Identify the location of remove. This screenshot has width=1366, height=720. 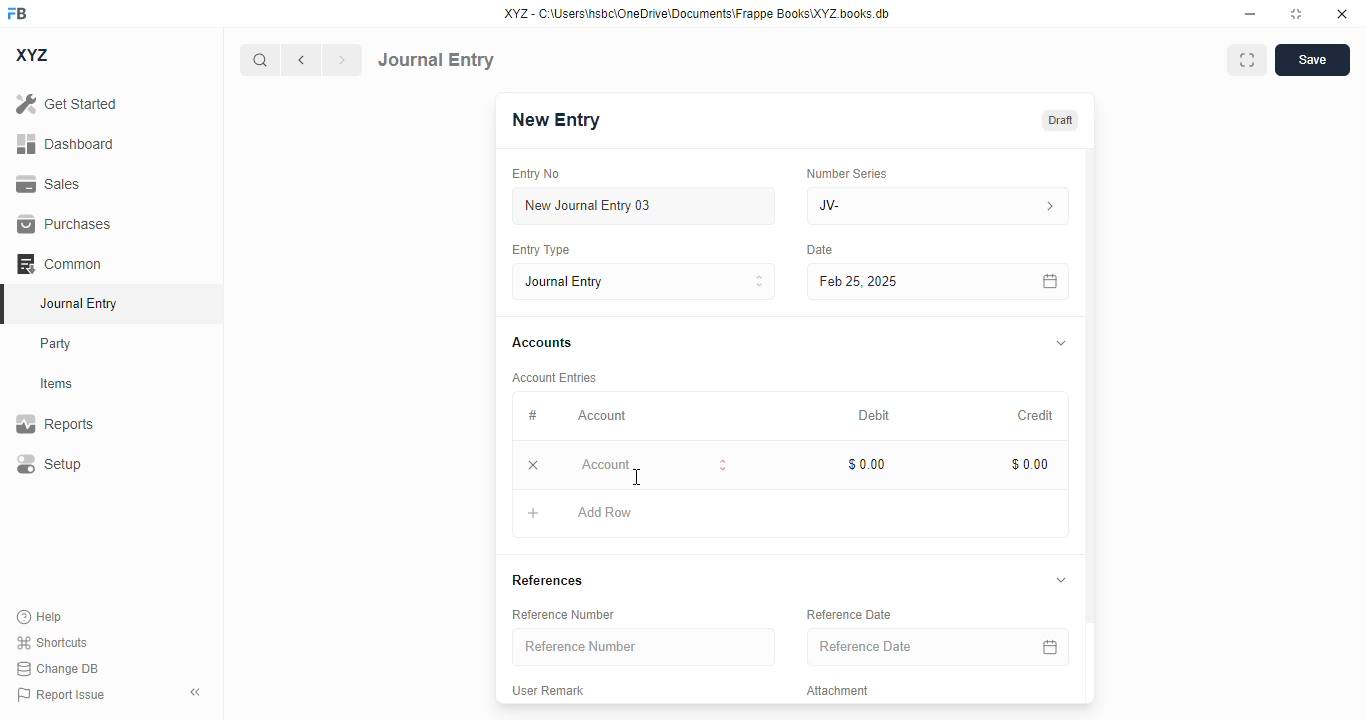
(533, 464).